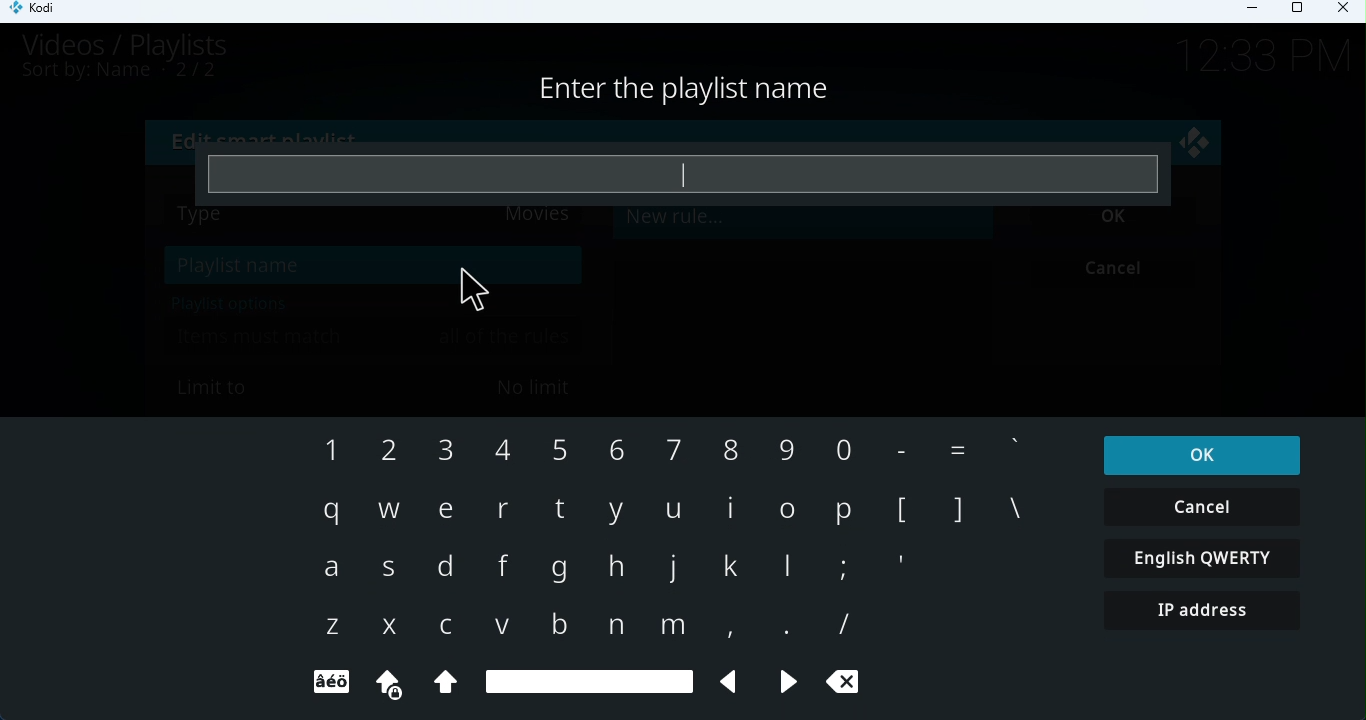  Describe the element at coordinates (1199, 454) in the screenshot. I see `OK` at that location.